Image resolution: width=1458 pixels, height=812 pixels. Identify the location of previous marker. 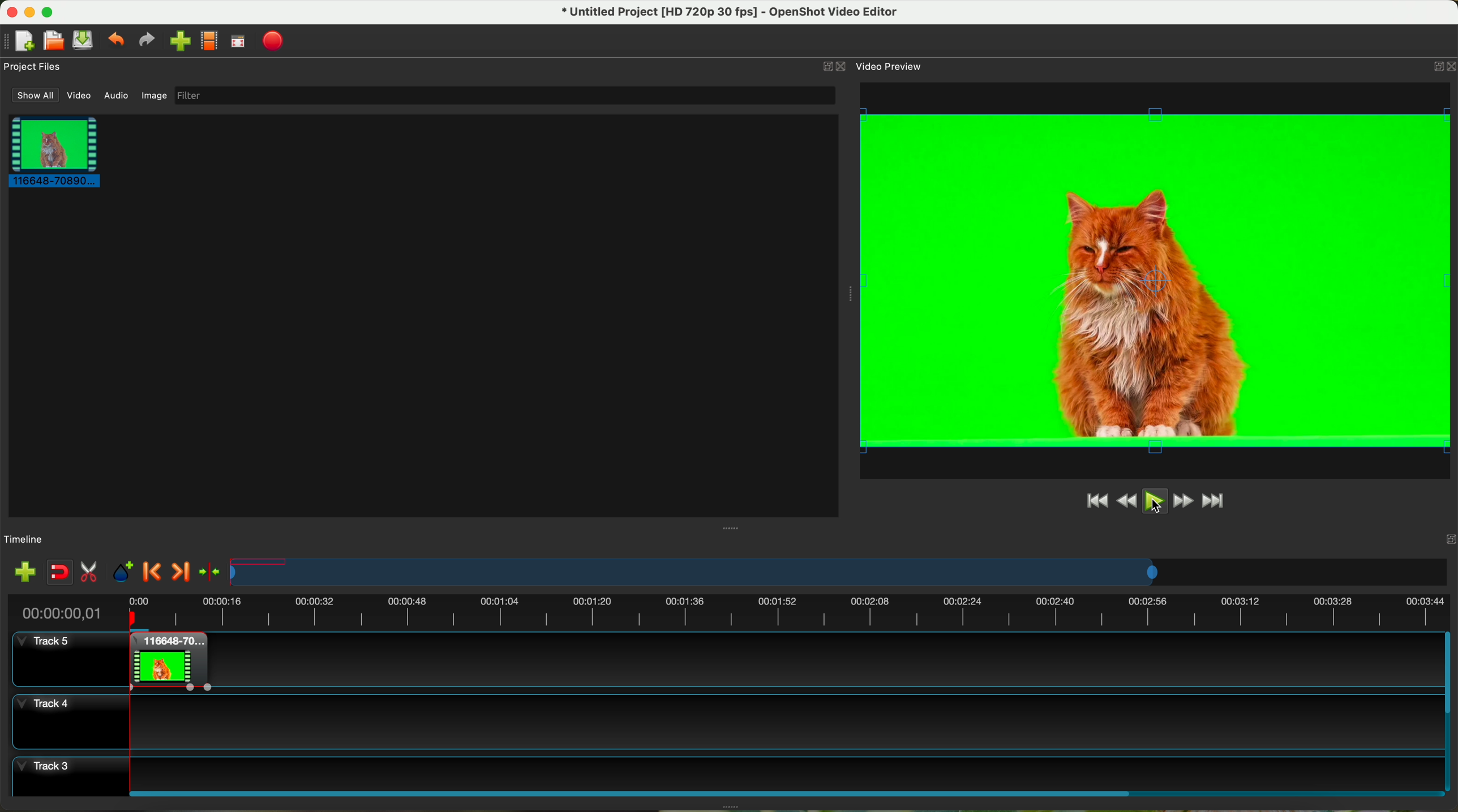
(153, 572).